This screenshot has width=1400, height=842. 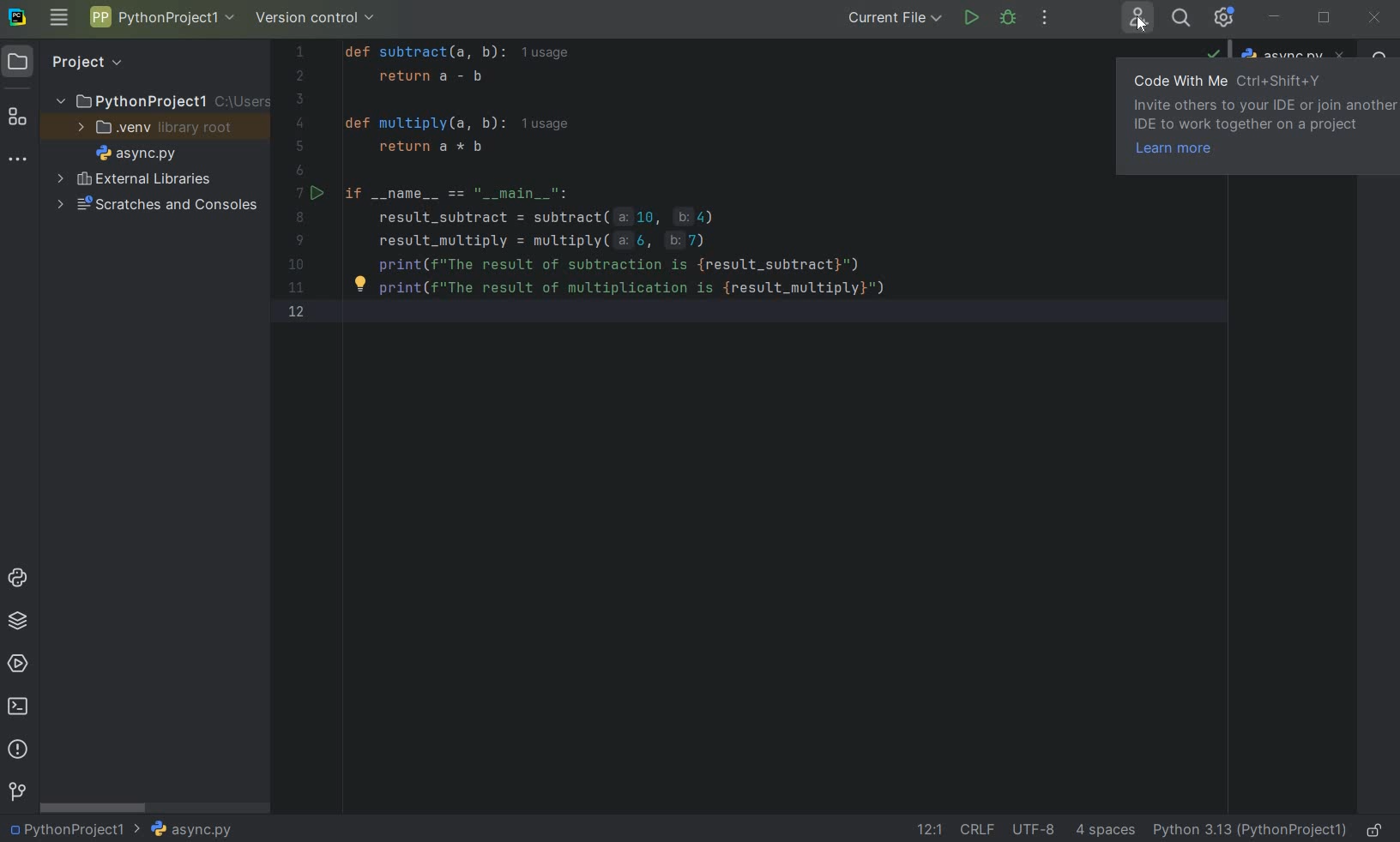 I want to click on FILE NAME, so click(x=190, y=830).